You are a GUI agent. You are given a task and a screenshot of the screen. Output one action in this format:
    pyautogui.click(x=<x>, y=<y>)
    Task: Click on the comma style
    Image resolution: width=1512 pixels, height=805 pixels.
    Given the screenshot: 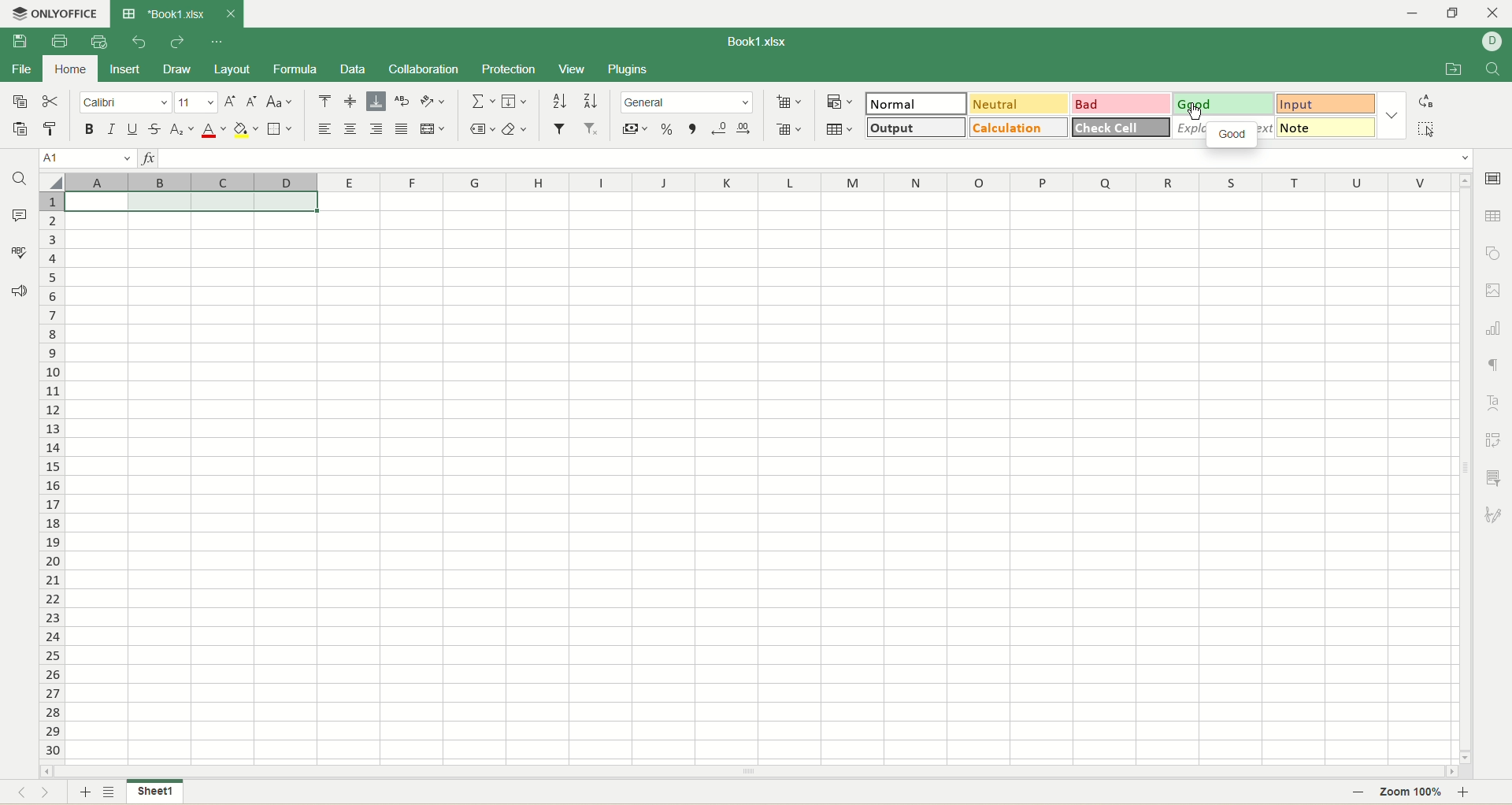 What is the action you would take?
    pyautogui.click(x=692, y=128)
    